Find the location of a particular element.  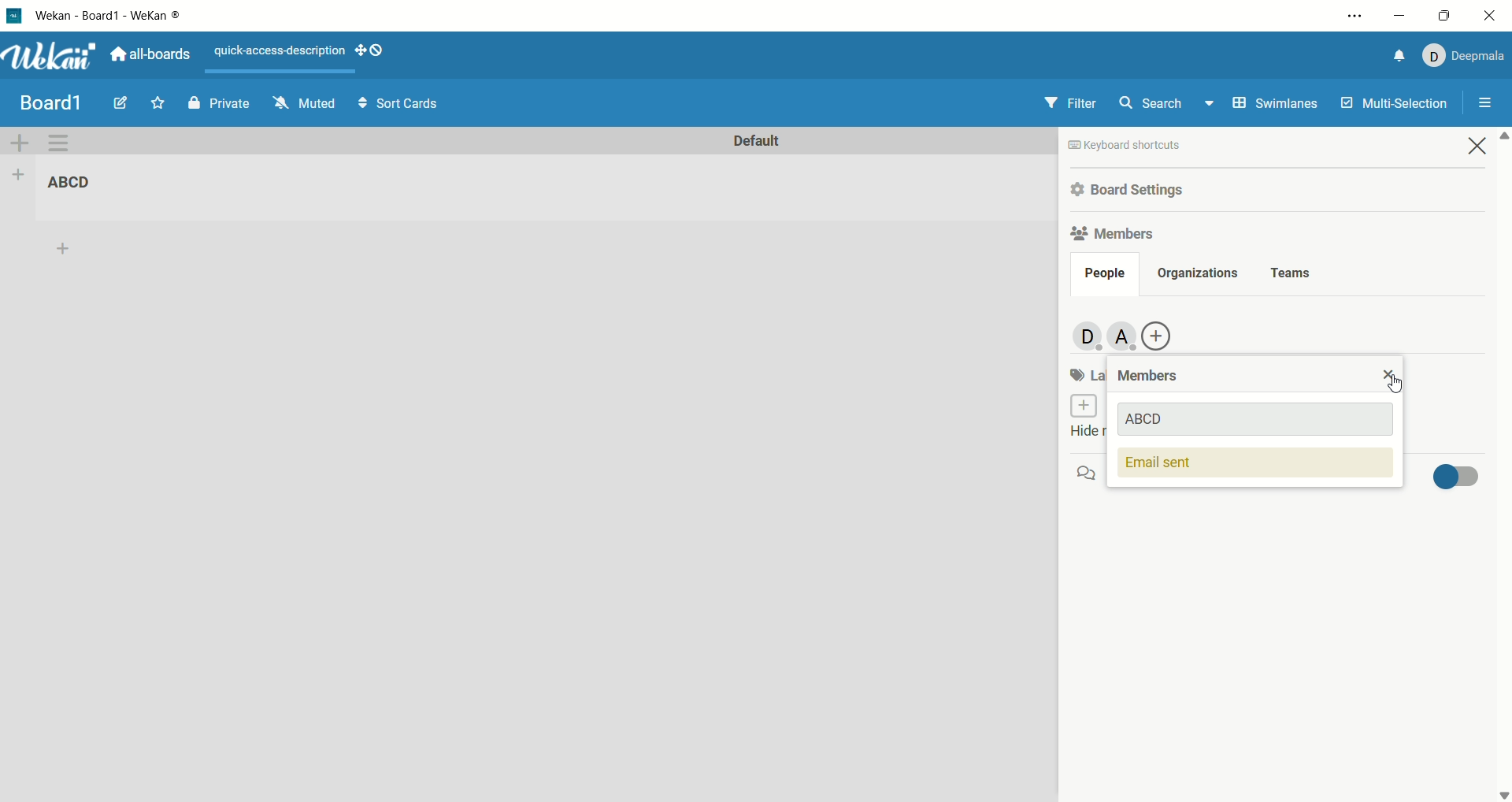

logo is located at coordinates (13, 15).